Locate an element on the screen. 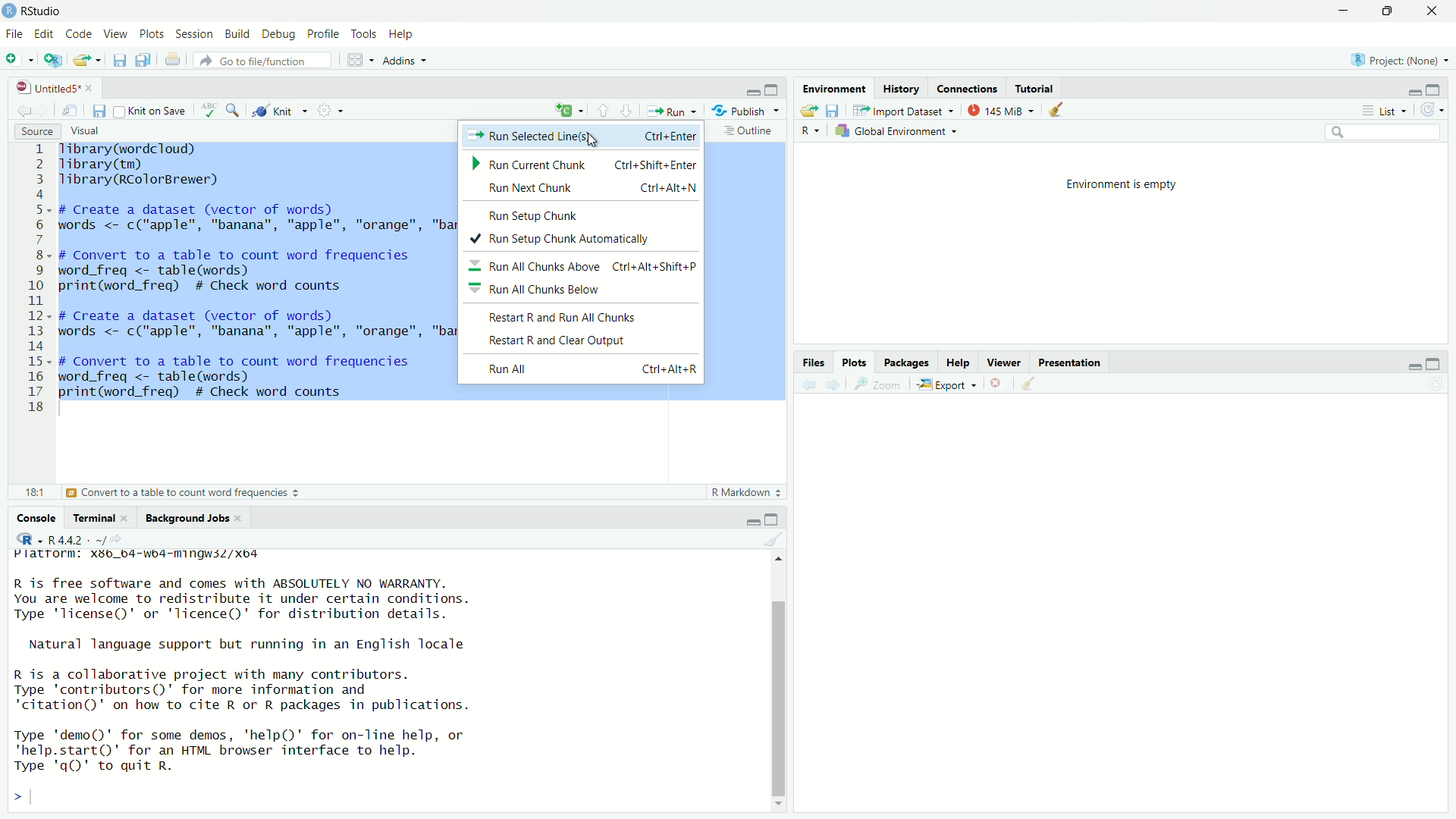  R is free software and comes with ABSOLUTELY NO WARRANTY.

You are welcome to redistribute it under certain conditions.

Type 'license()' or 'licence()' for distribution details.
Natural language support but running in an English locale

R is a collaborative project with many contributors.

Type ‘contributors’ for more information and

"citation()' on how to cite R or R packages in publications.

Type 'demo()' for some demos, 'help()' for on-line help, or

'help.start()' for an HTML browser interface to help.

Type 'qQ)' to quit R. is located at coordinates (244, 664).